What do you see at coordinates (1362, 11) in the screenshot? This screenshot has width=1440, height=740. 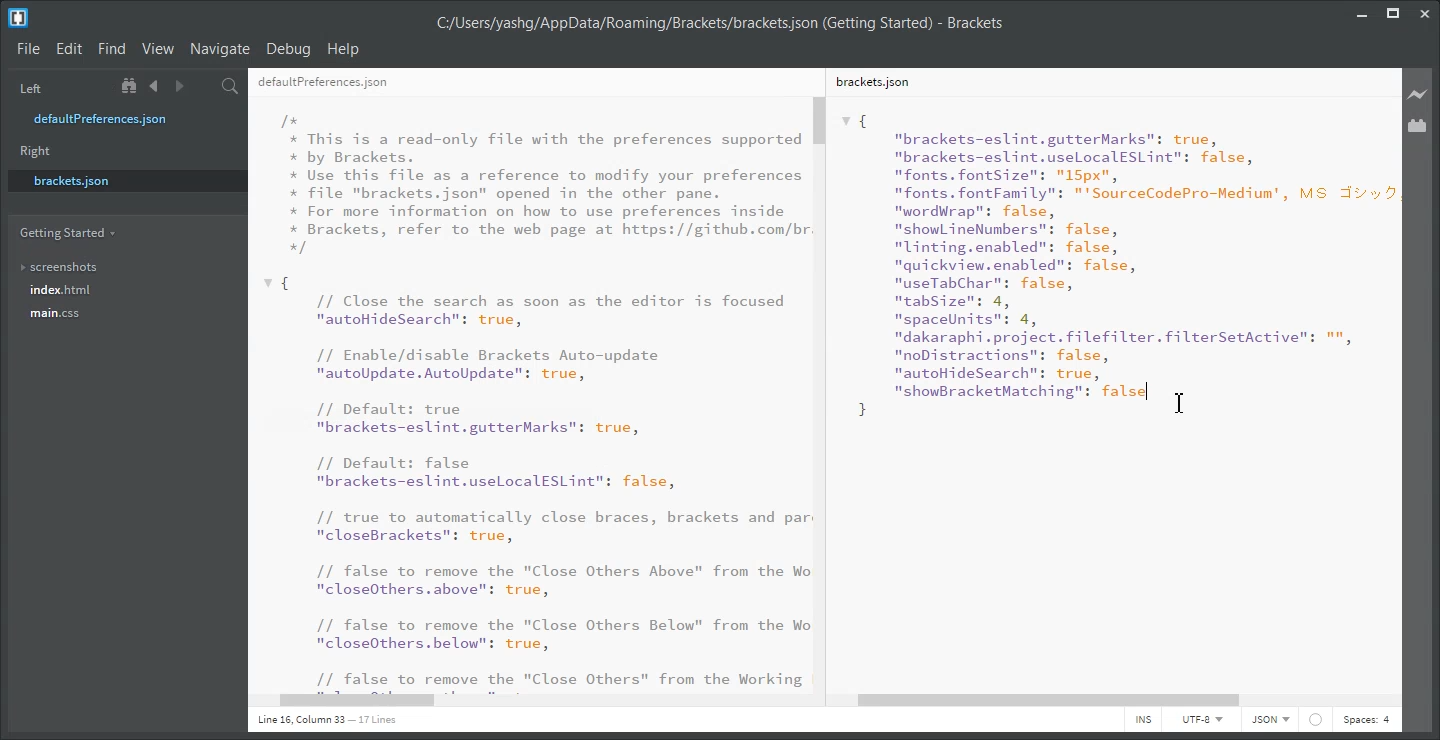 I see `Minimize` at bounding box center [1362, 11].